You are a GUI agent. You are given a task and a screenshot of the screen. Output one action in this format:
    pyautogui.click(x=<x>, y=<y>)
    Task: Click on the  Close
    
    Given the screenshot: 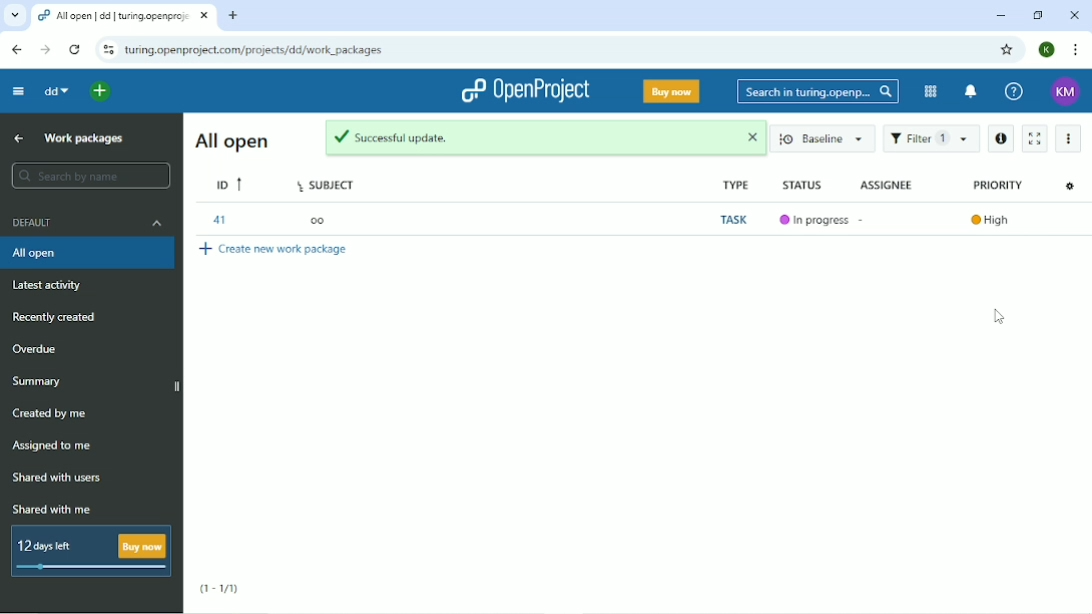 What is the action you would take?
    pyautogui.click(x=1075, y=14)
    